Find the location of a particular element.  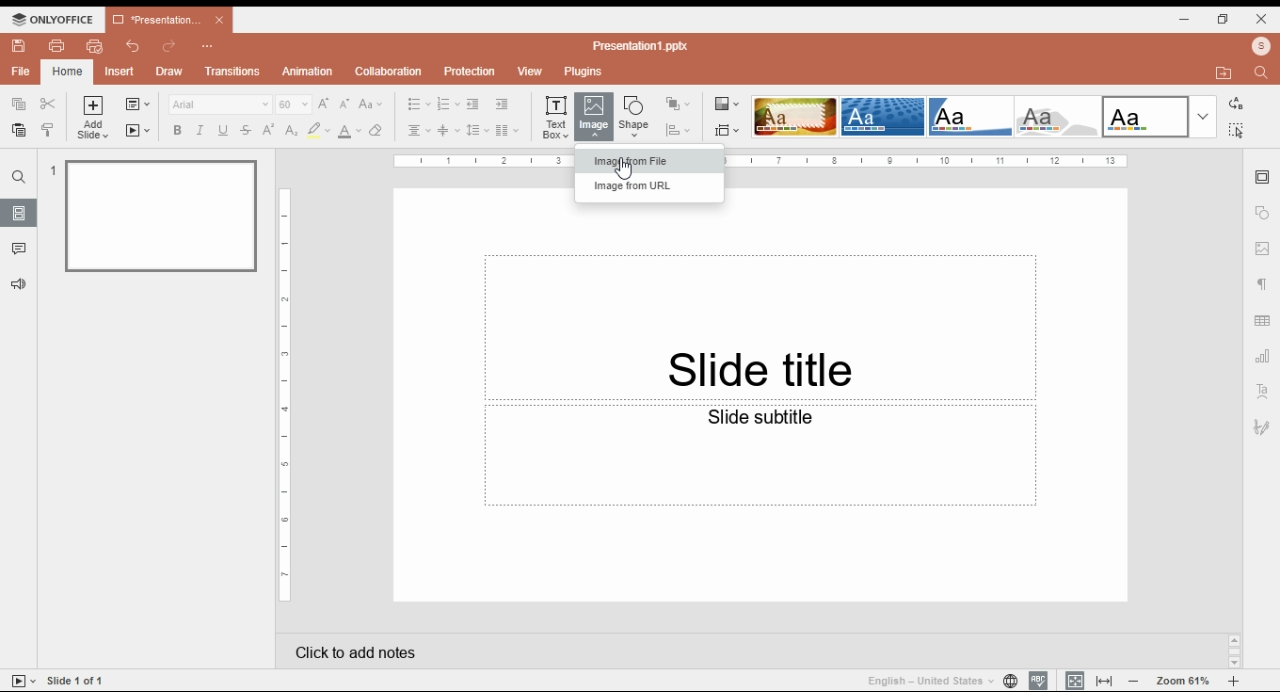

insert image is located at coordinates (594, 117).